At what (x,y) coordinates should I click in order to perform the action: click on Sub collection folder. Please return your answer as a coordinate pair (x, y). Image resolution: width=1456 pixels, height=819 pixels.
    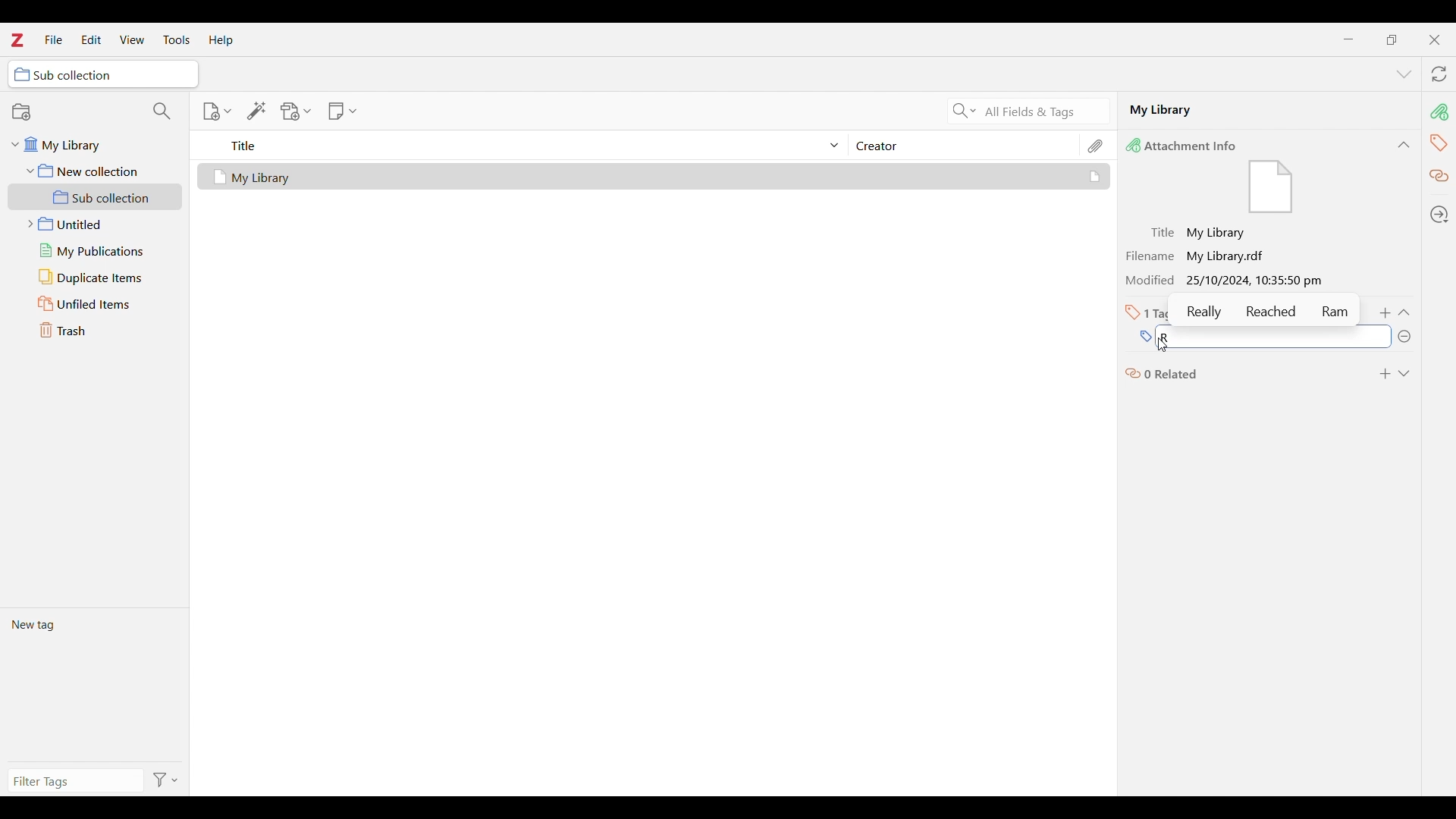
    Looking at the image, I should click on (96, 197).